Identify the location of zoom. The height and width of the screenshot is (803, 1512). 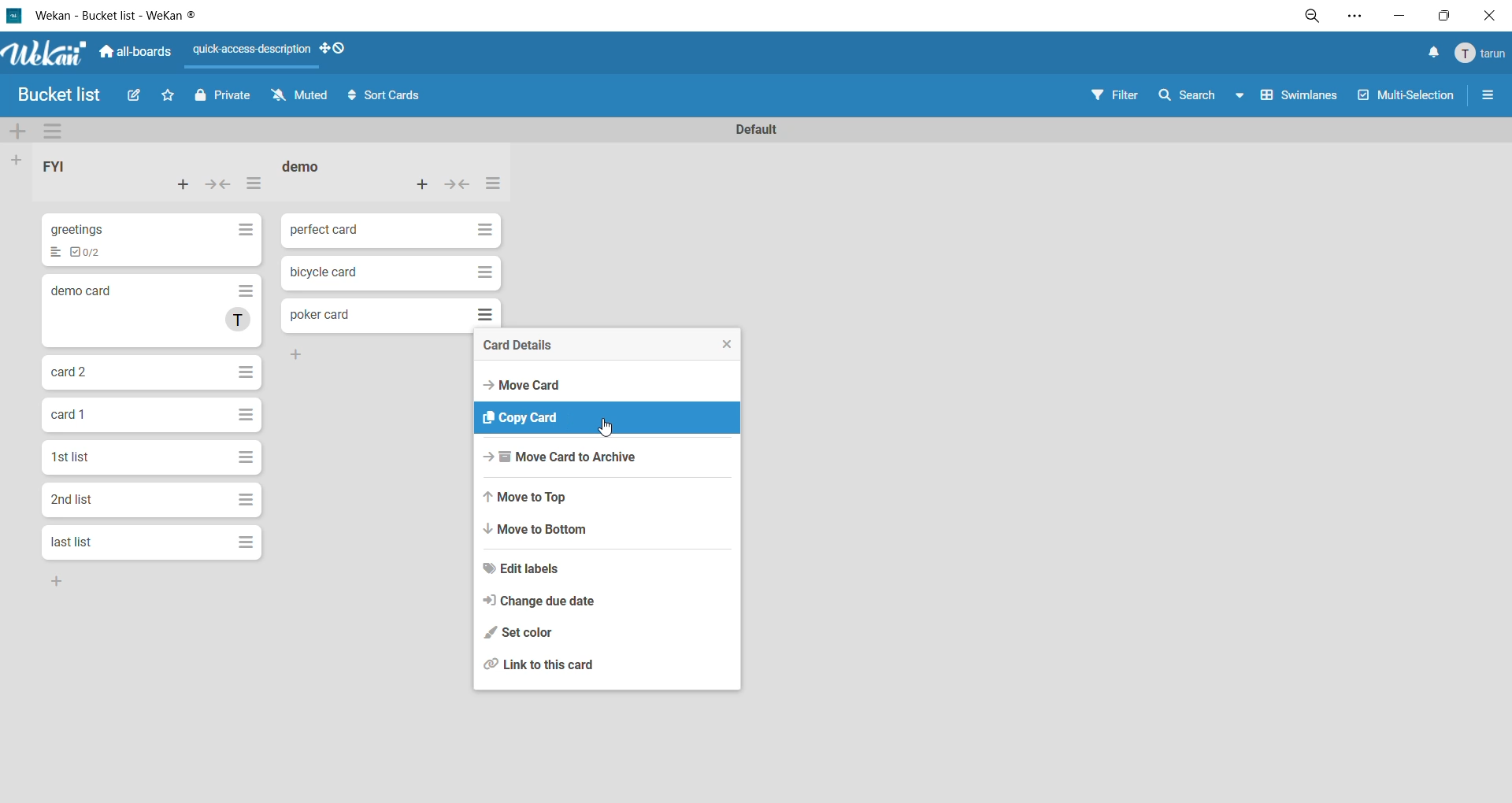
(1316, 18).